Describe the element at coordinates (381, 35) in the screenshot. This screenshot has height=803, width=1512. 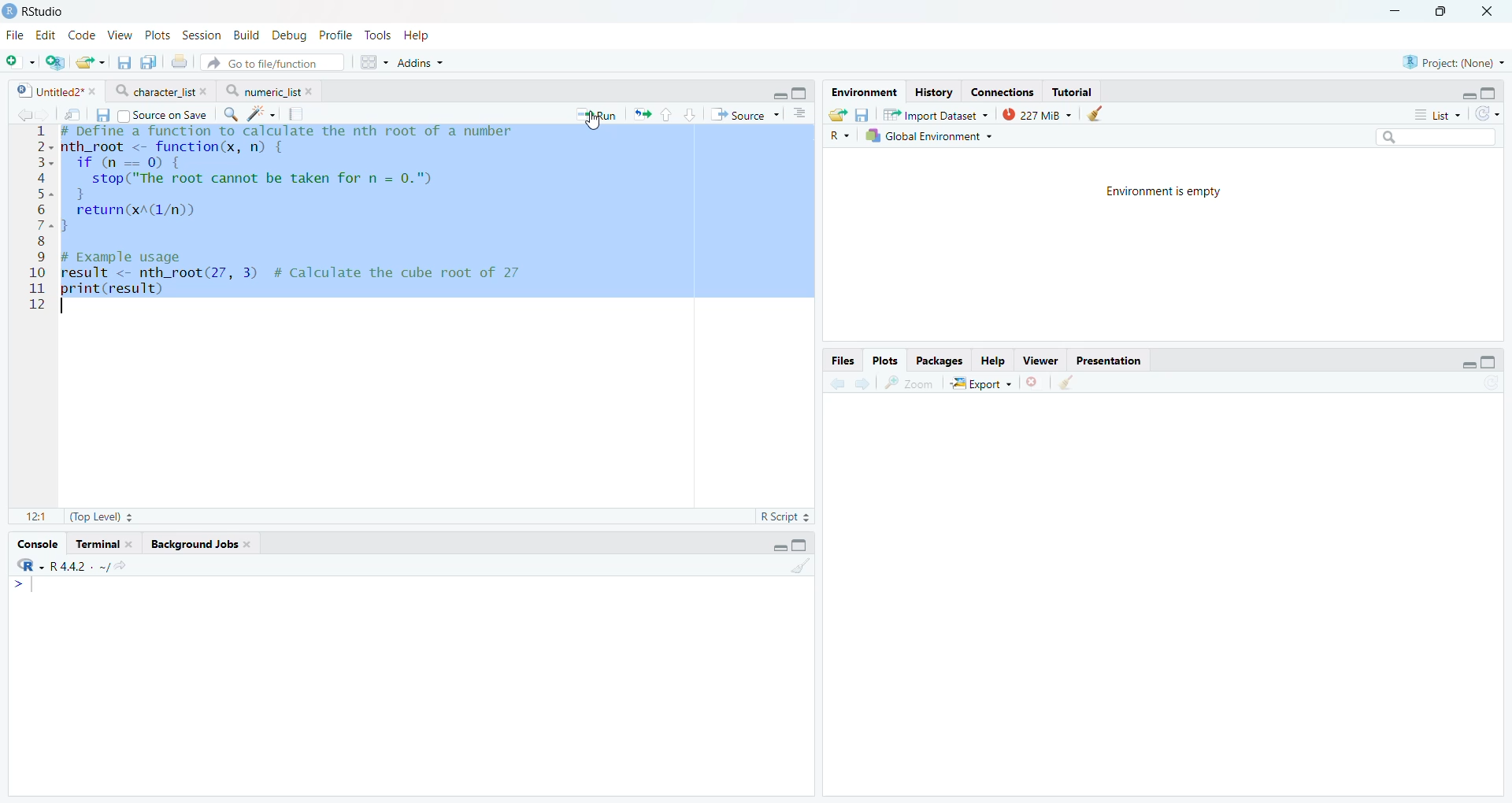
I see `Tools` at that location.